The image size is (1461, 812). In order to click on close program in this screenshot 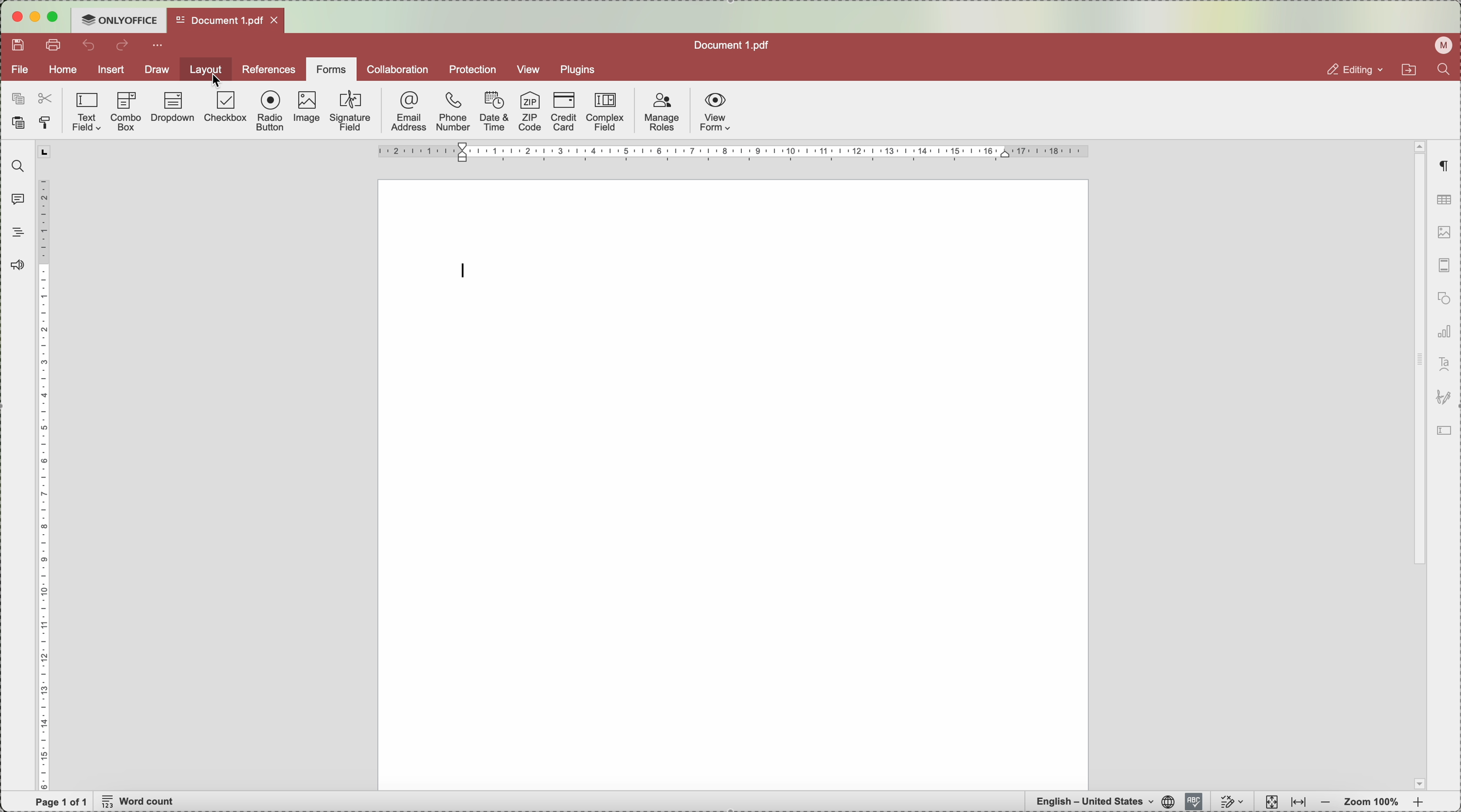, I will do `click(15, 19)`.